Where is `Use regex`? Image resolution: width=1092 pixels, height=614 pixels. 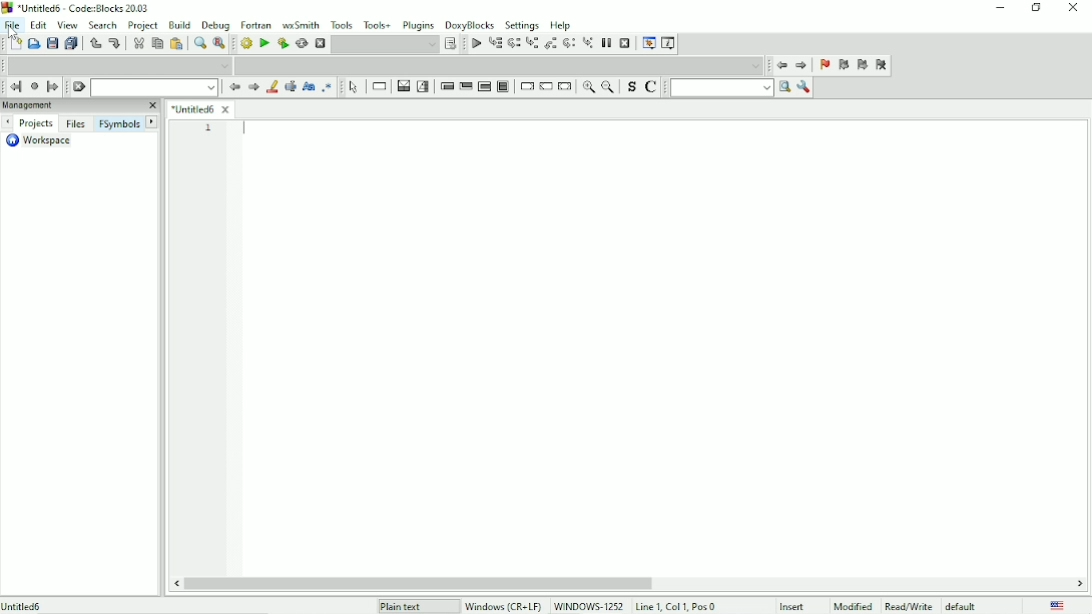
Use regex is located at coordinates (329, 87).